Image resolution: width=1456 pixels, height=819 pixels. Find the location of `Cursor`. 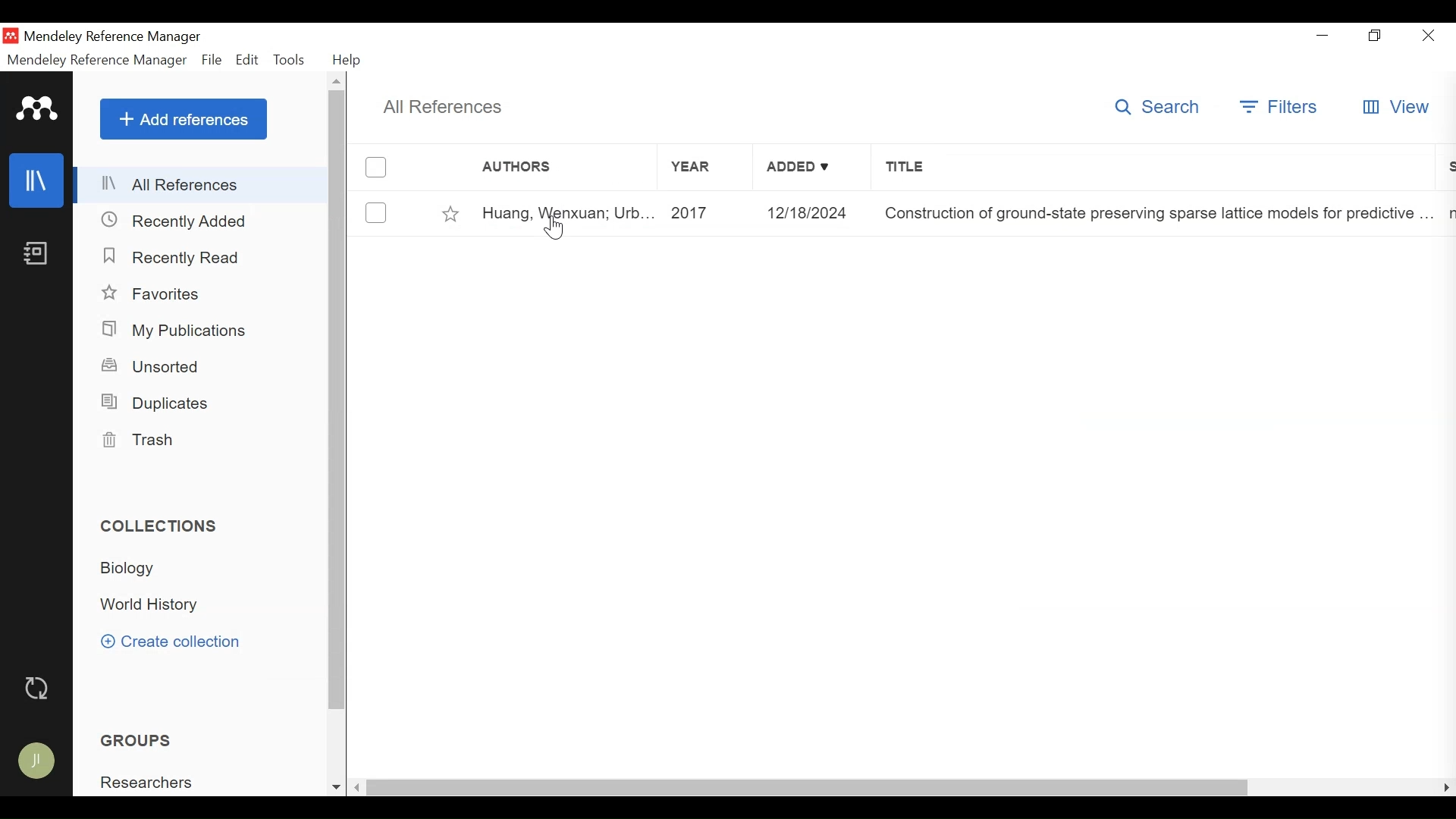

Cursor is located at coordinates (557, 228).